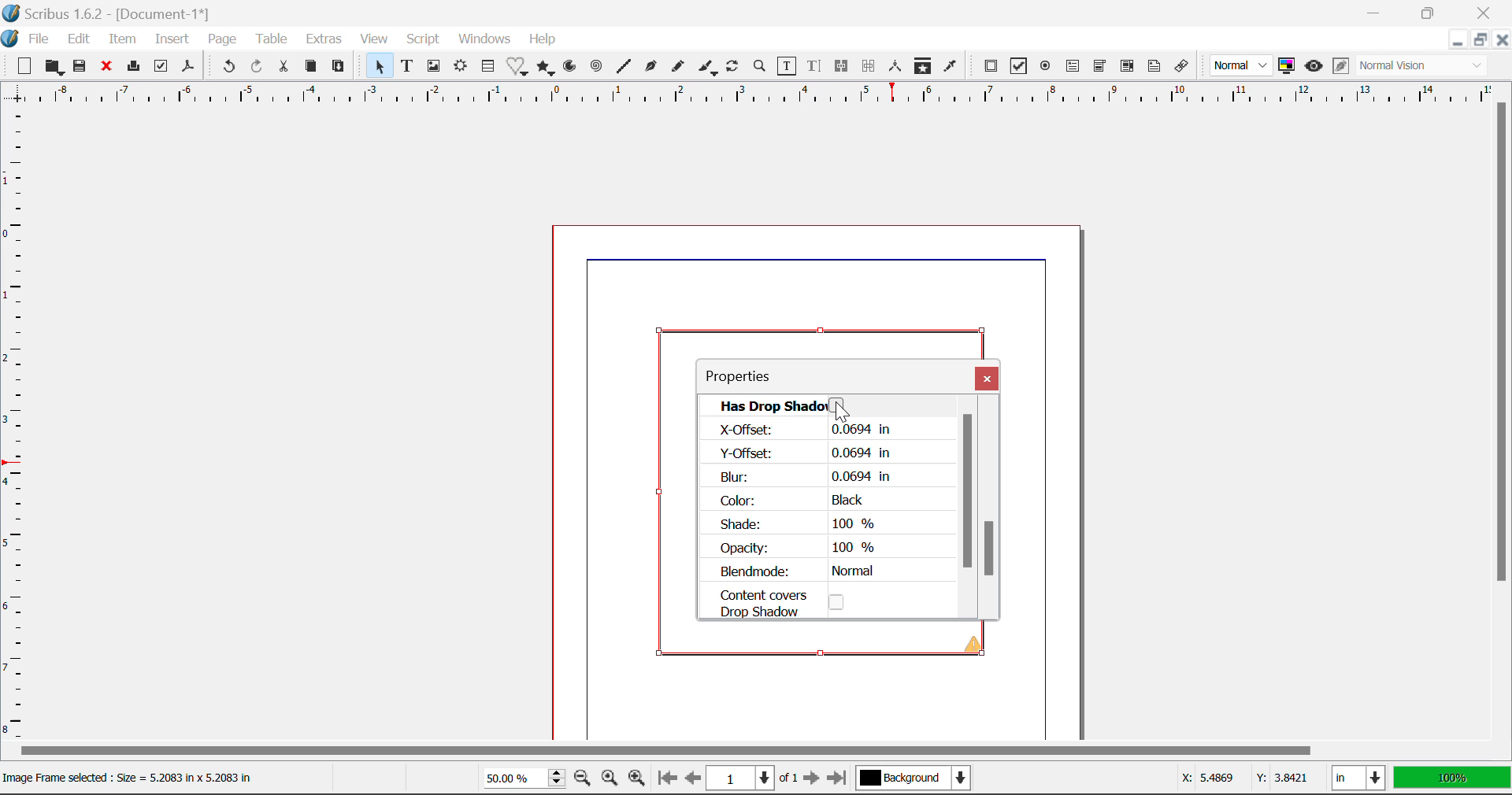 The width and height of the screenshot is (1512, 795). I want to click on Redo, so click(258, 68).